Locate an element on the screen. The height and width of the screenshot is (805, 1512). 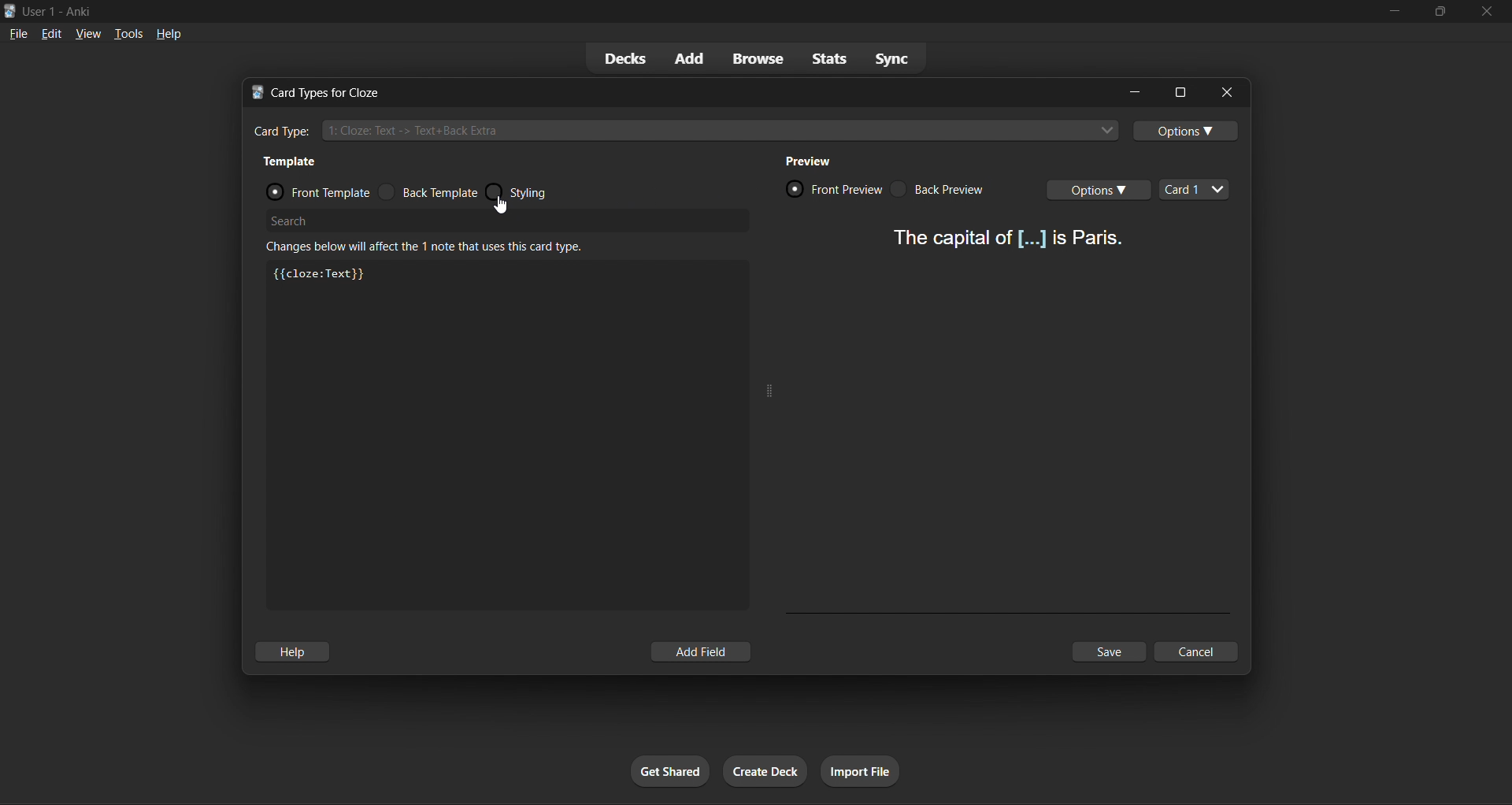
customization box is located at coordinates (505, 431).